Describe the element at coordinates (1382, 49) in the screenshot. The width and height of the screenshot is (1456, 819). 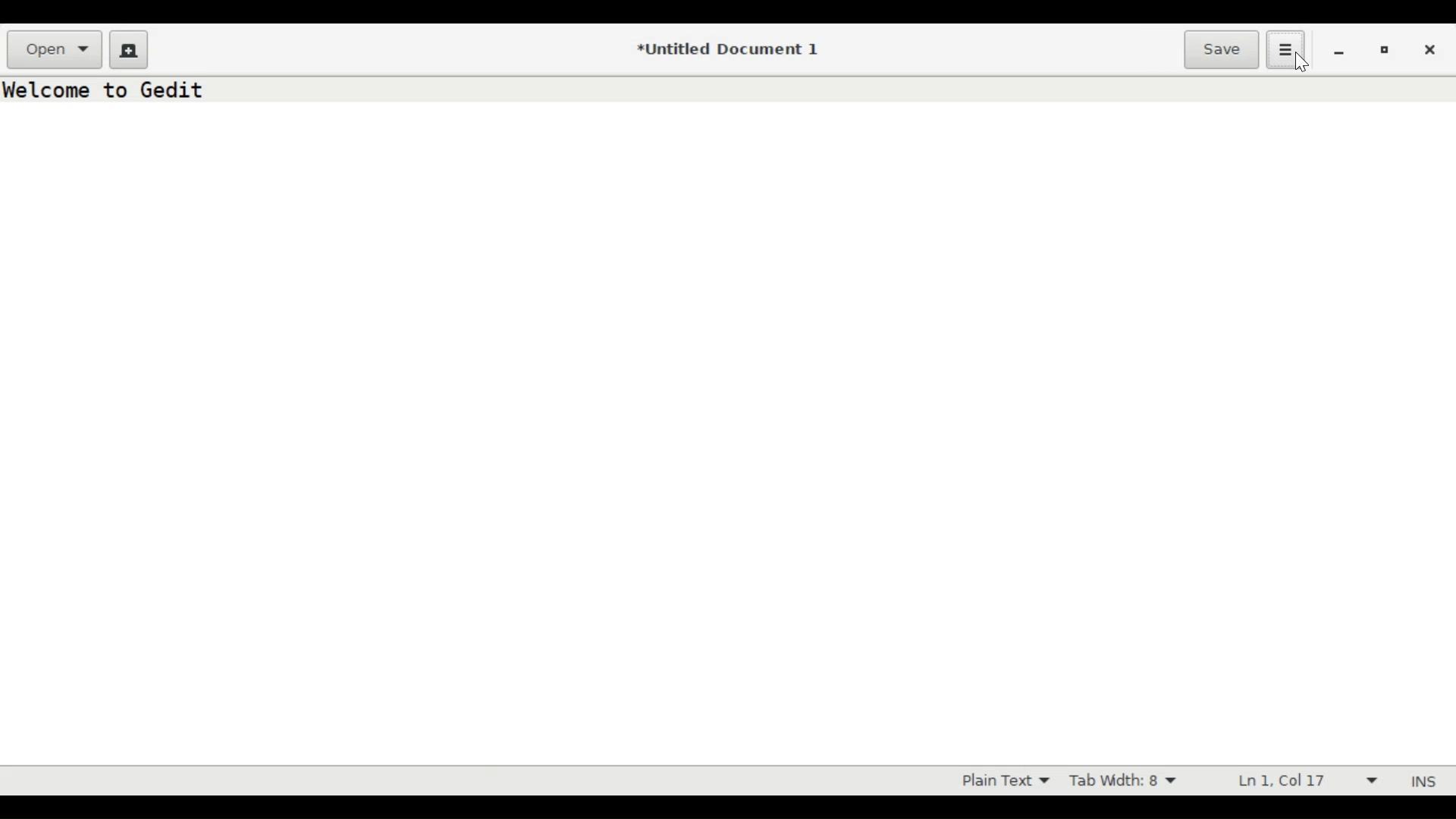
I see `Restore` at that location.